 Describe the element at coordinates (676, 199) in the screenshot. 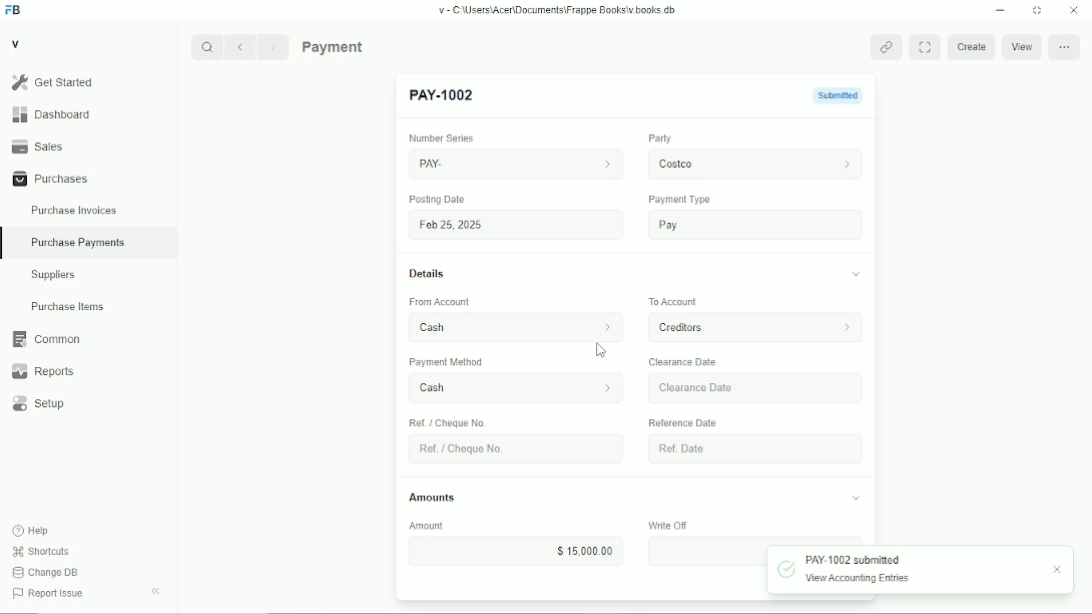

I see `Payment Type` at that location.